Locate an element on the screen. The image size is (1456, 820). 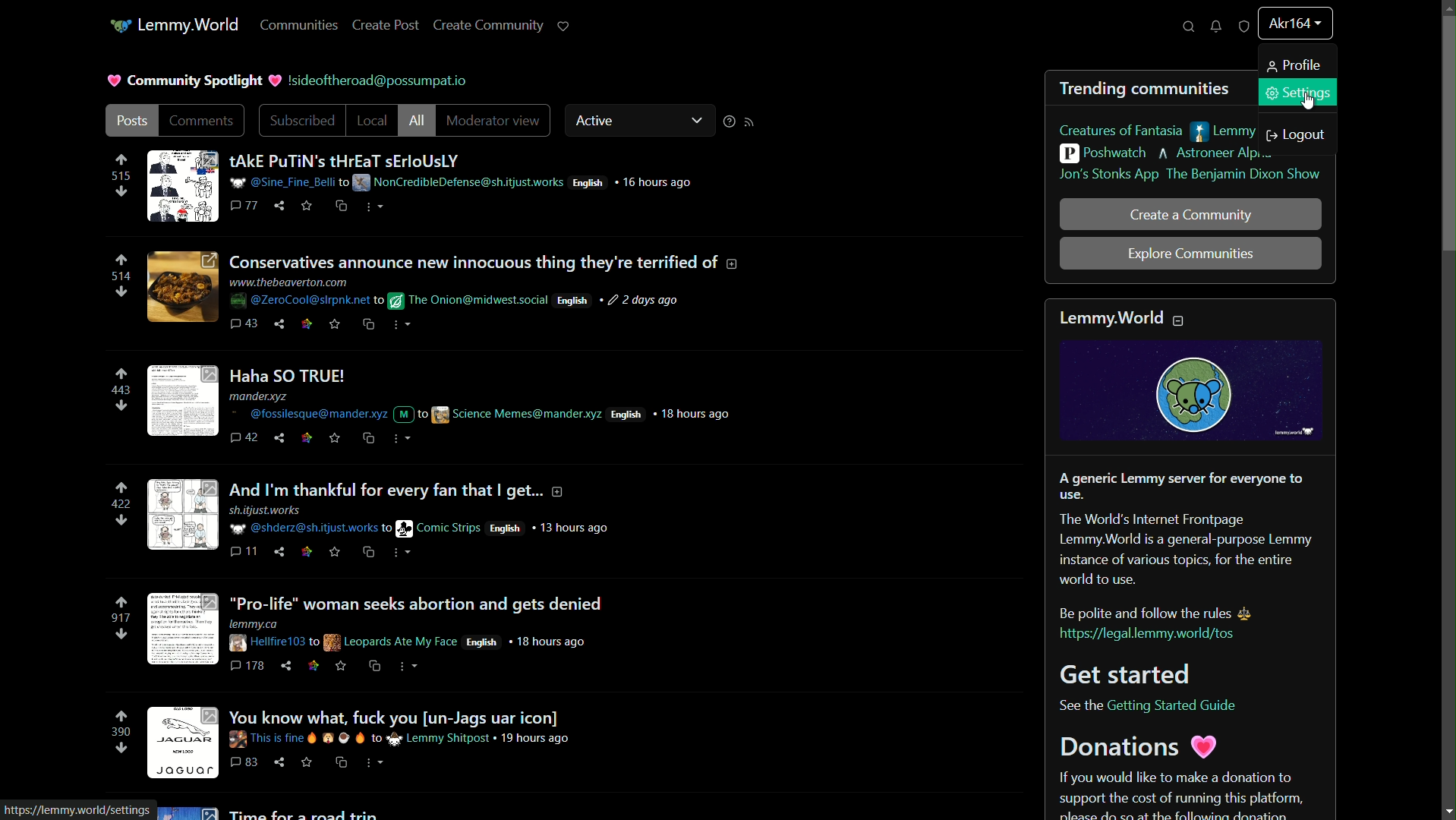
number of votes is located at coordinates (120, 393).